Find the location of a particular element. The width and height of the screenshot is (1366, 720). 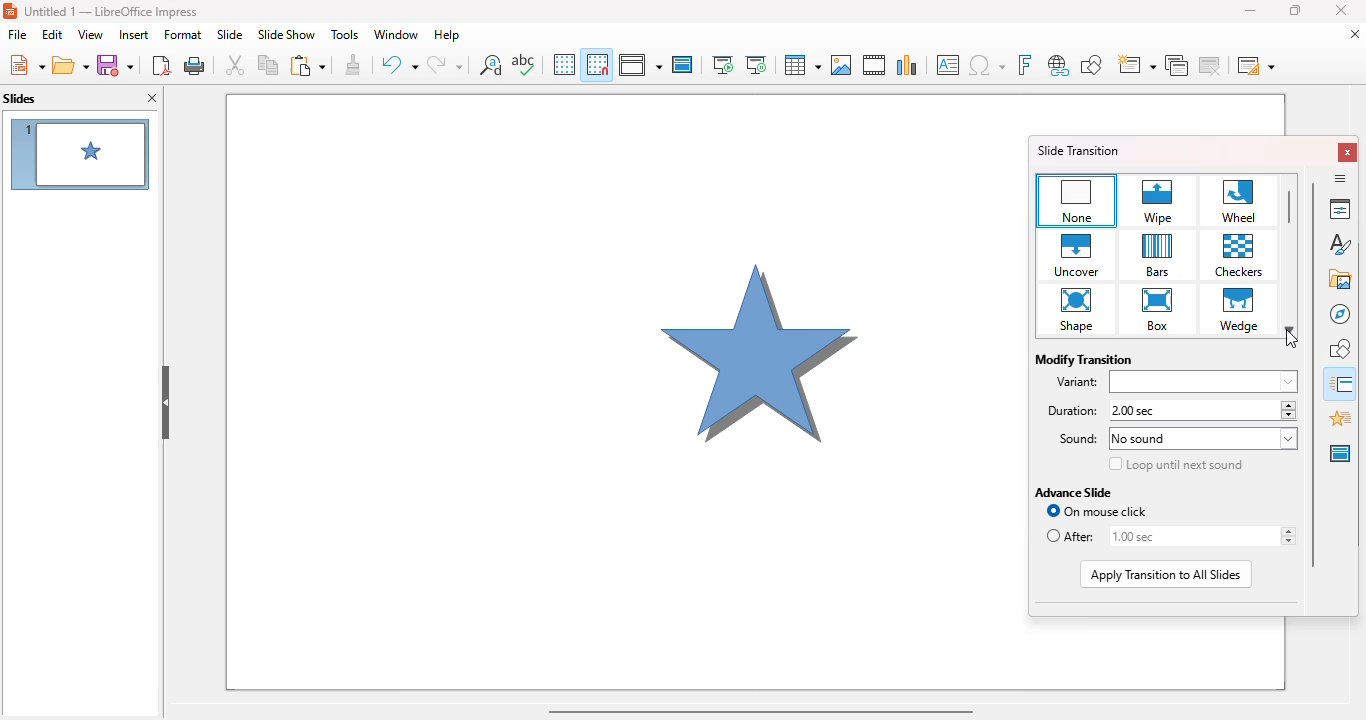

minimize is located at coordinates (1249, 10).